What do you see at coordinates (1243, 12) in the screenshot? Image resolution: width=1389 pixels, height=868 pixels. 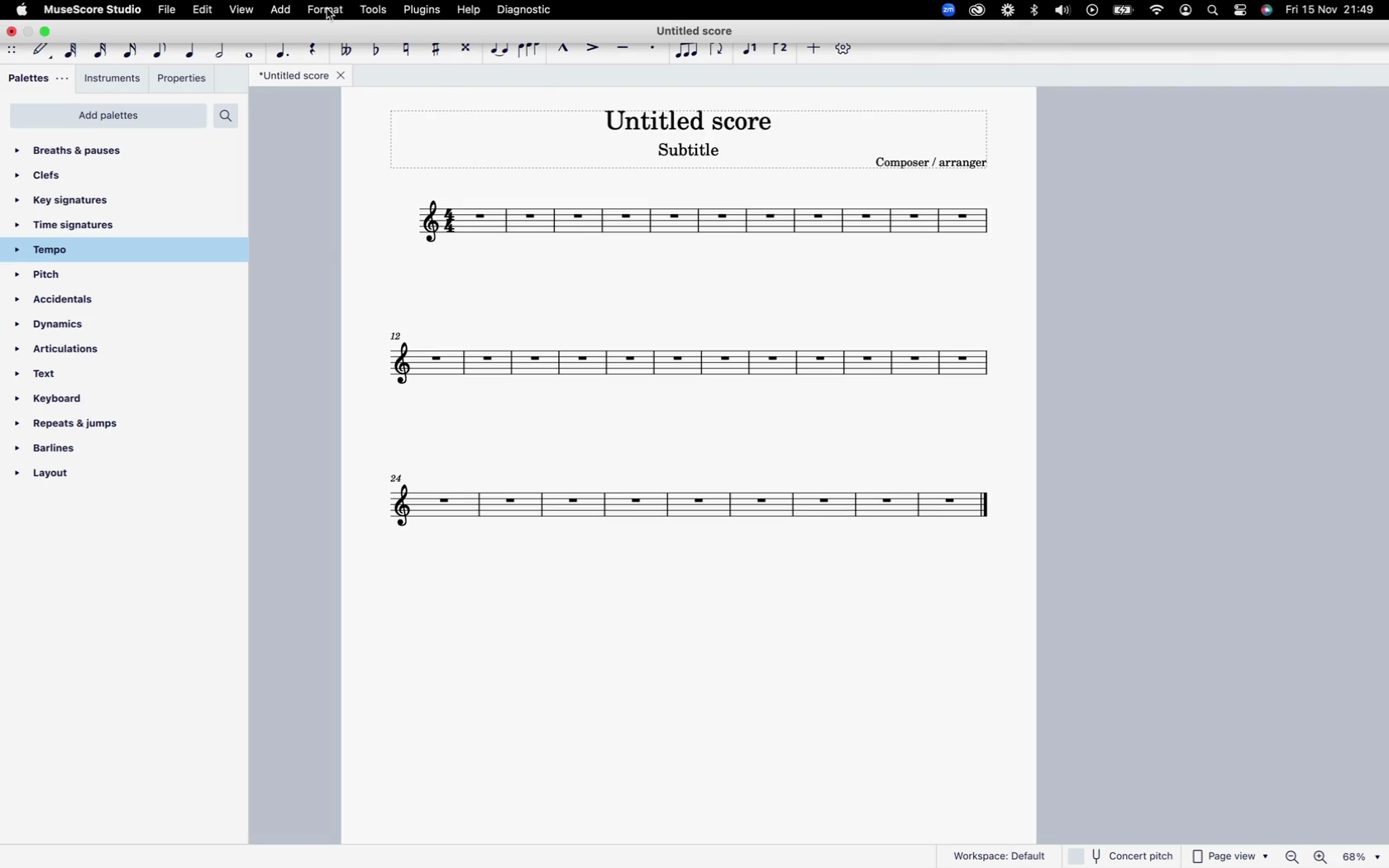 I see `settings` at bounding box center [1243, 12].